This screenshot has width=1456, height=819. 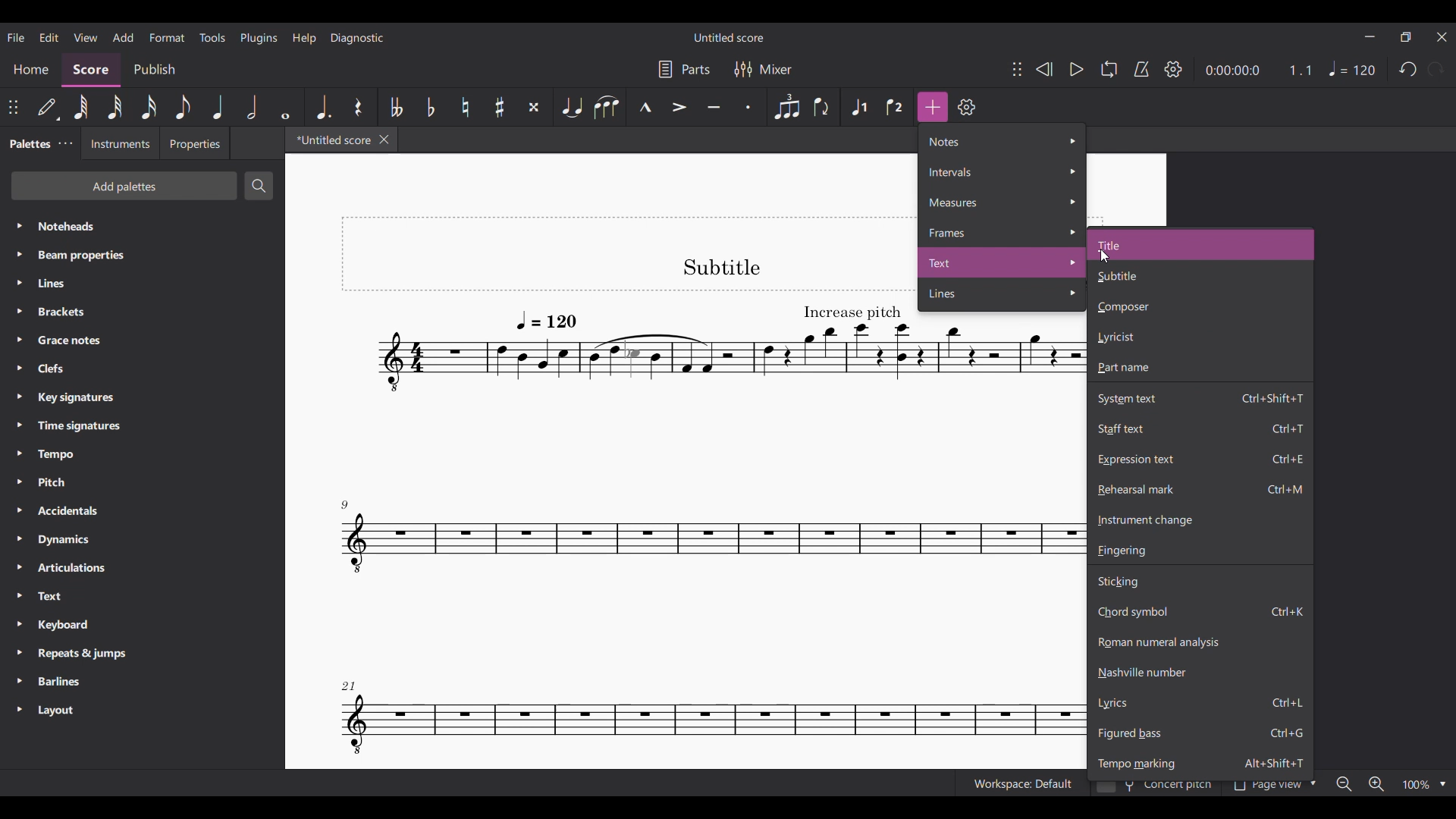 What do you see at coordinates (259, 38) in the screenshot?
I see `Plugins meu` at bounding box center [259, 38].